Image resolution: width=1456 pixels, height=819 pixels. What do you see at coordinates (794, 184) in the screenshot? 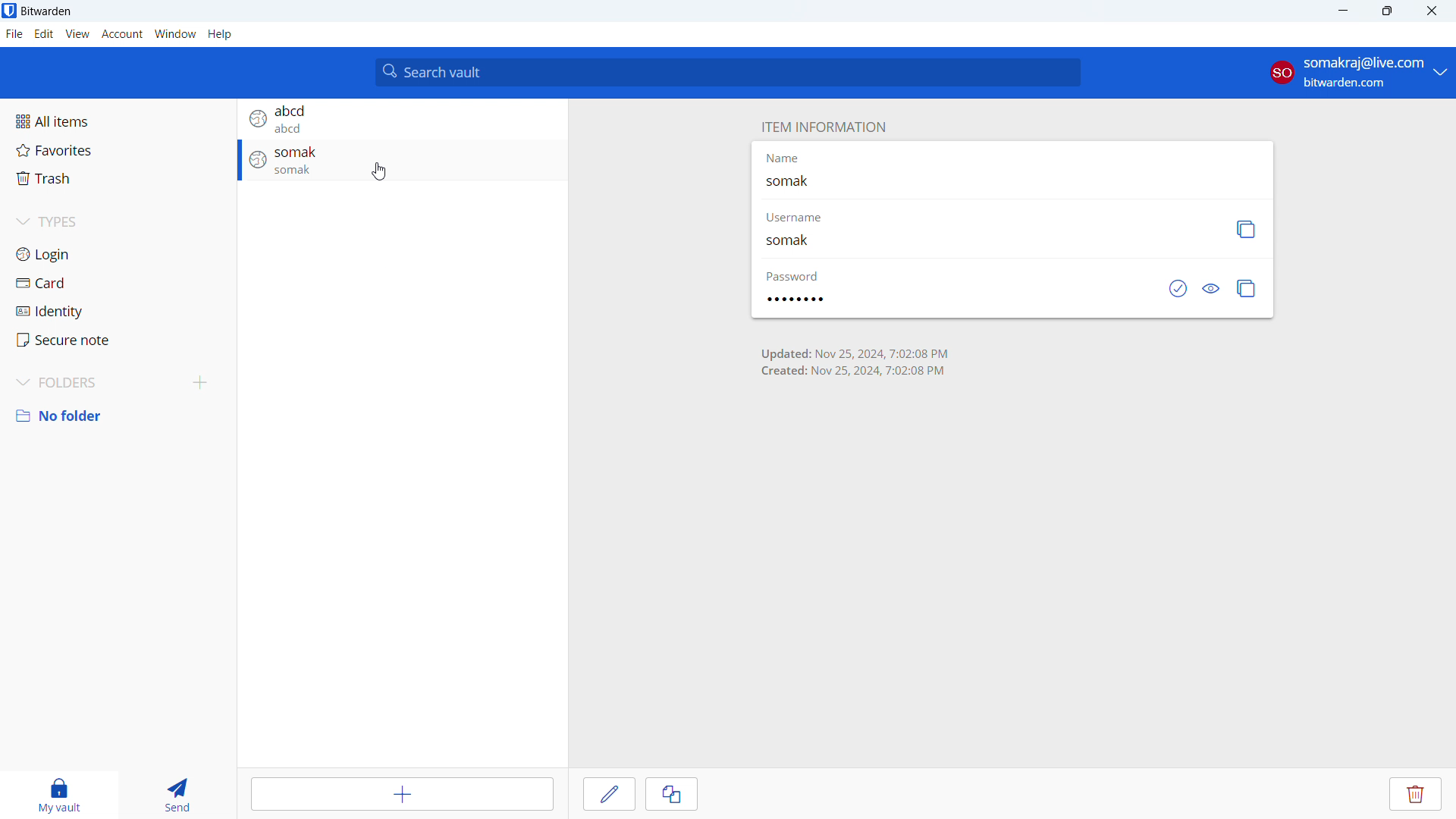
I see `somak` at bounding box center [794, 184].